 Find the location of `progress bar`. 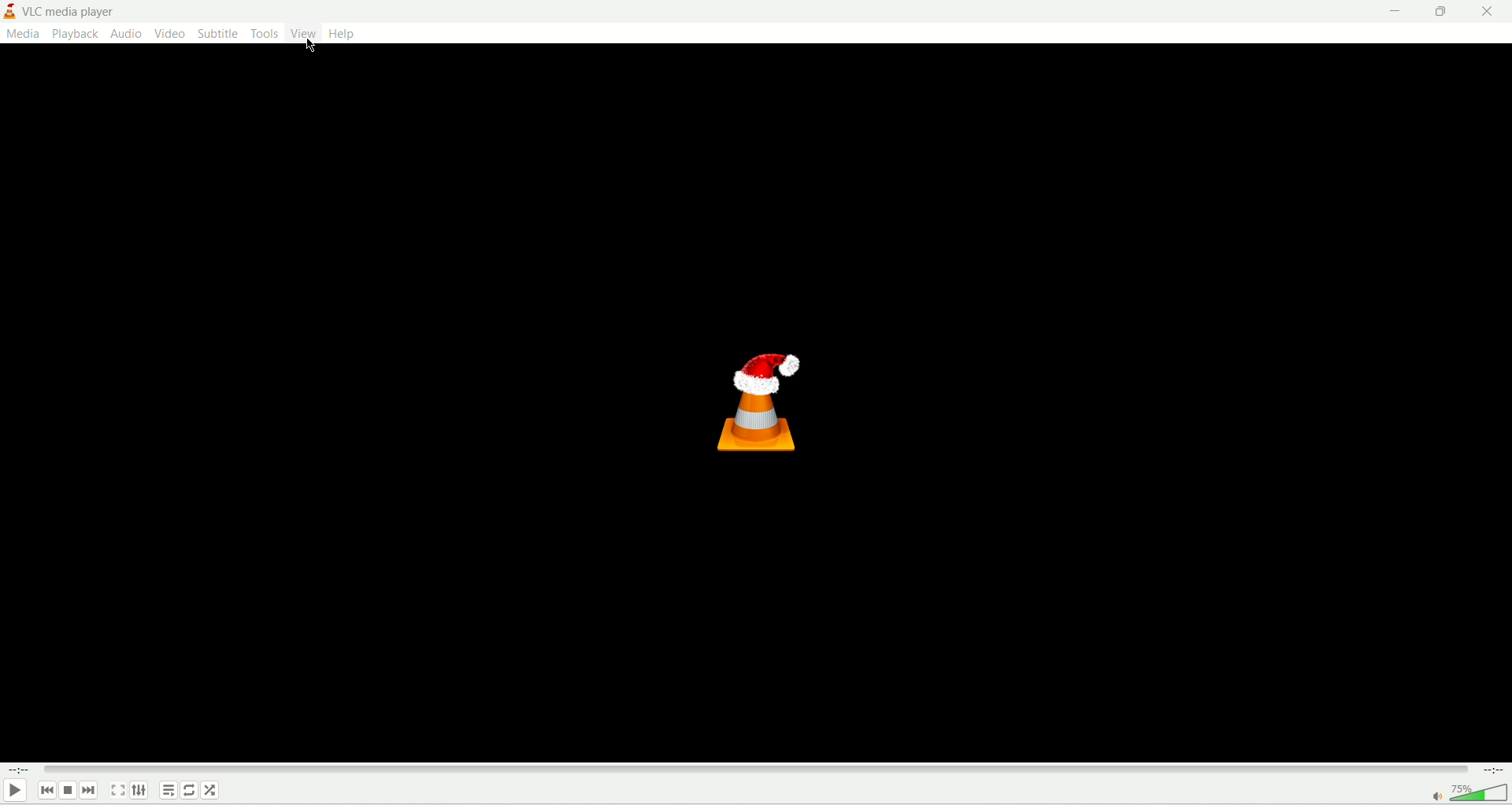

progress bar is located at coordinates (754, 768).